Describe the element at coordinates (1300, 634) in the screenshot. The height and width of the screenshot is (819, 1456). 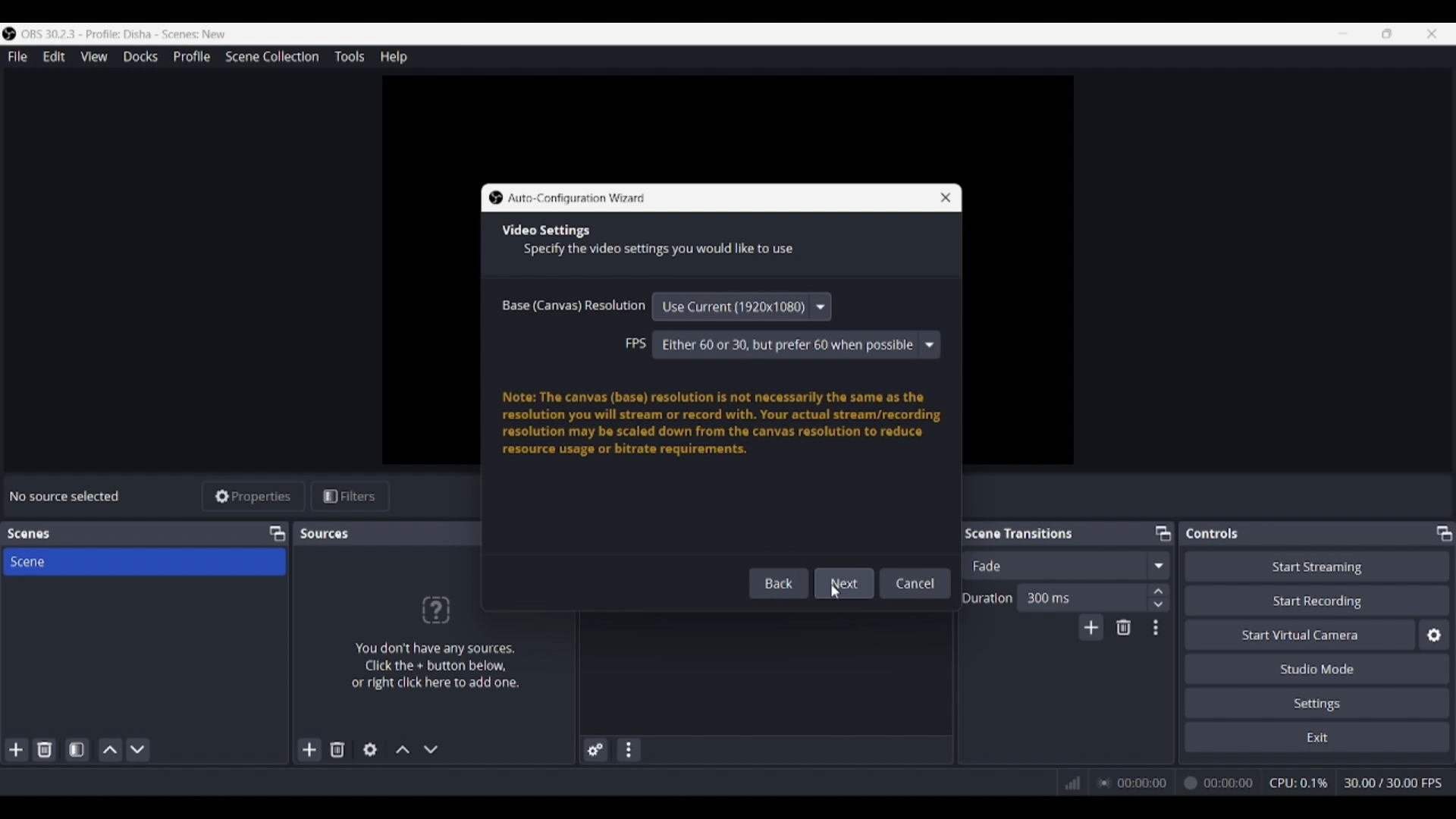
I see `Start virtual camera` at that location.